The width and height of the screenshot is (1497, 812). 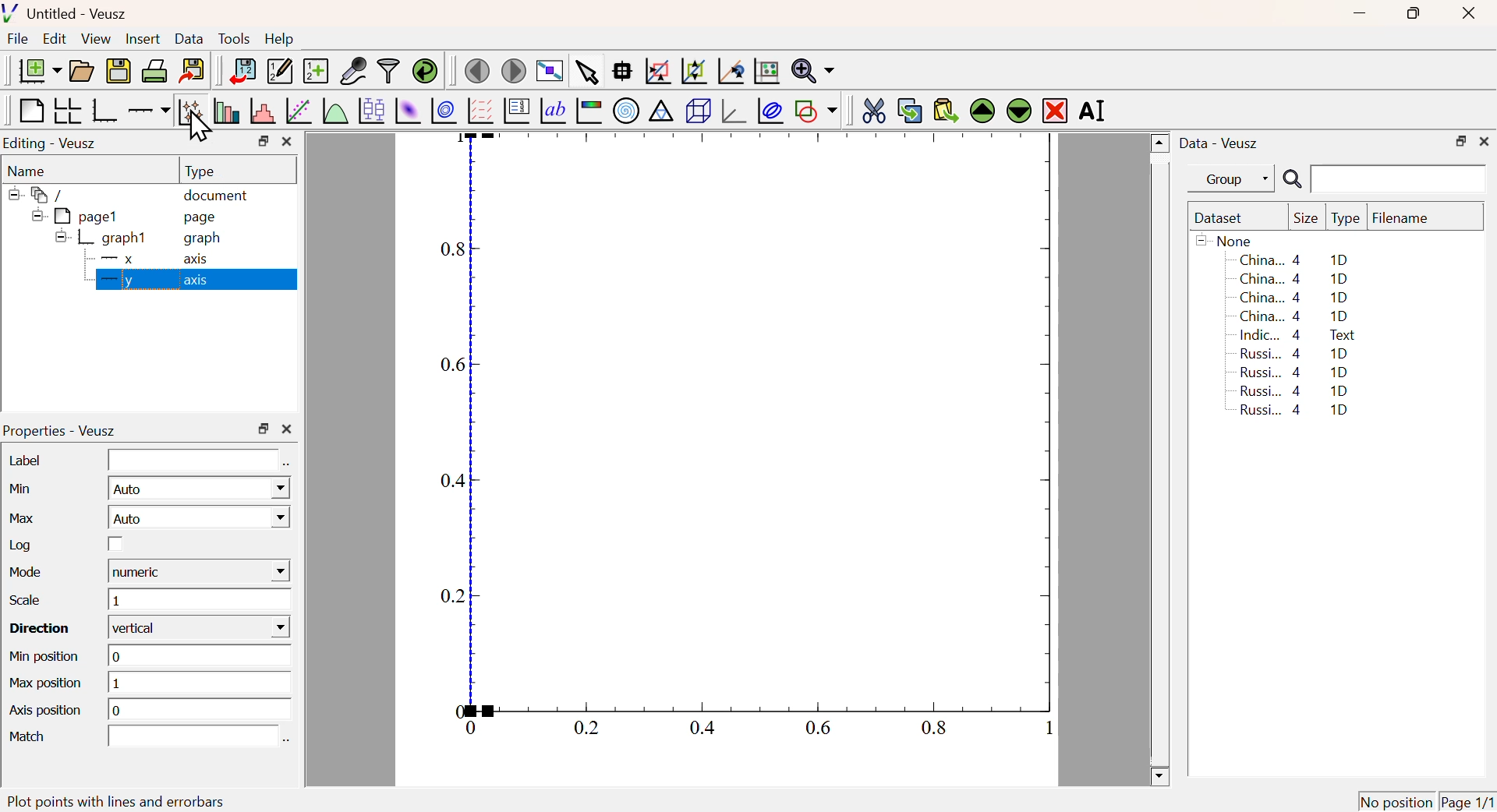 I want to click on Edit, so click(x=55, y=37).